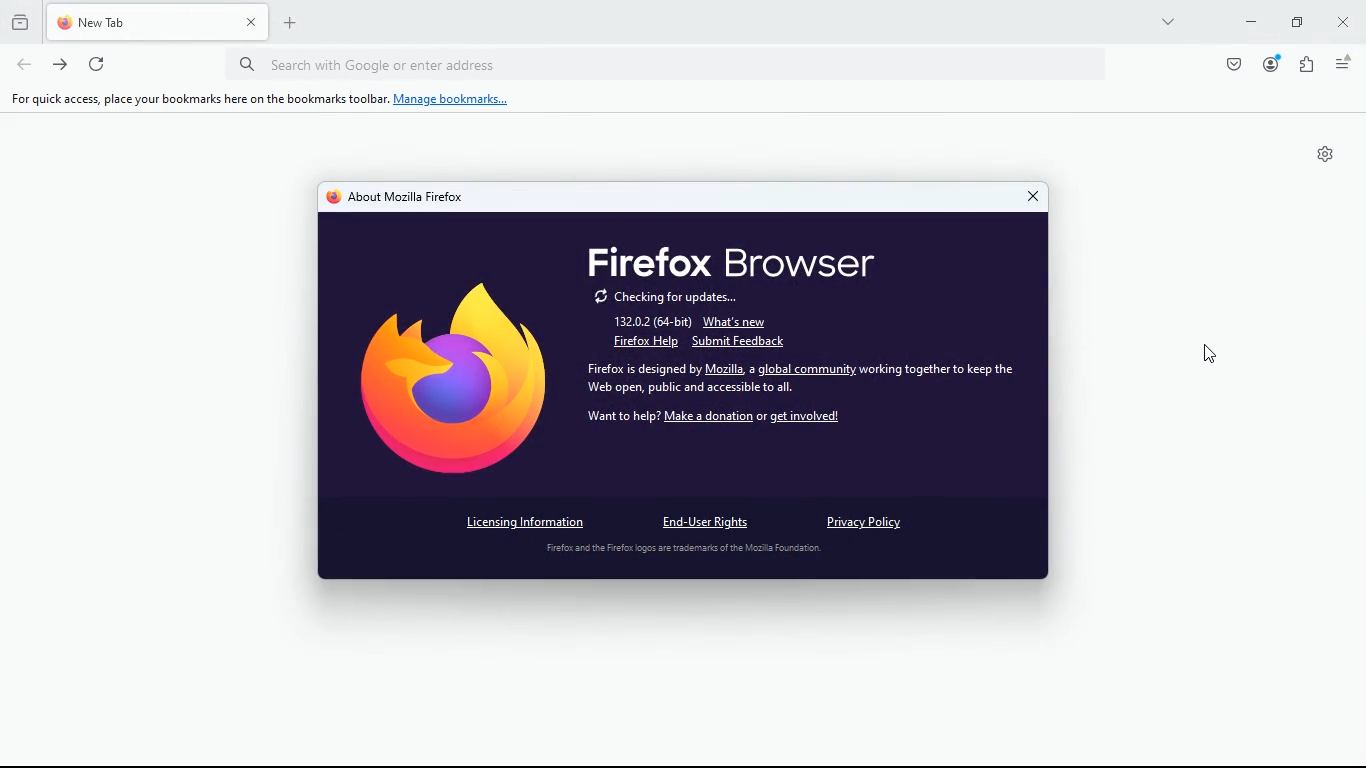 The height and width of the screenshot is (768, 1366). Describe the element at coordinates (733, 324) in the screenshot. I see `what's new` at that location.